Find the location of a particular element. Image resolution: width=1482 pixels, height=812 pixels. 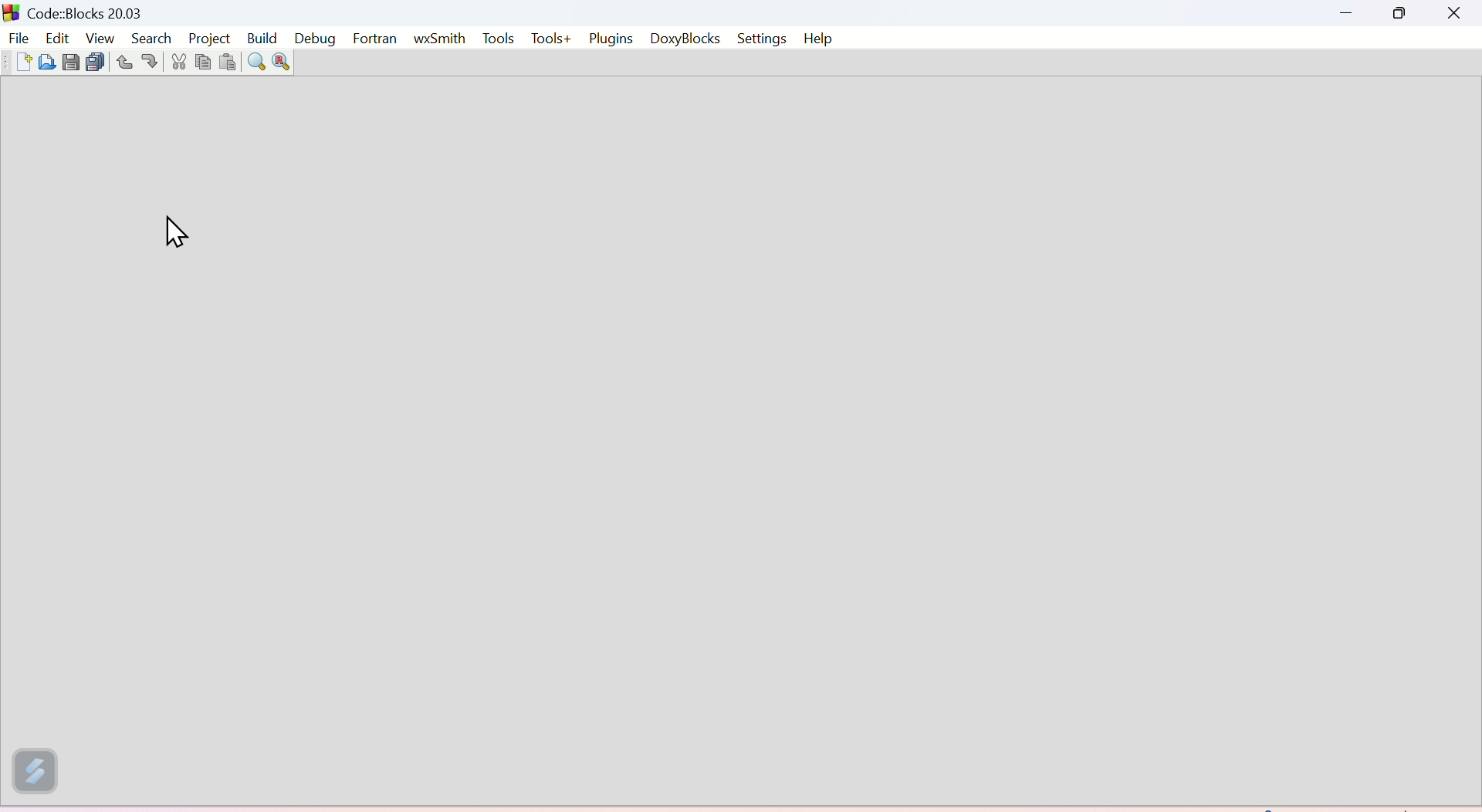

Fortran is located at coordinates (374, 38).